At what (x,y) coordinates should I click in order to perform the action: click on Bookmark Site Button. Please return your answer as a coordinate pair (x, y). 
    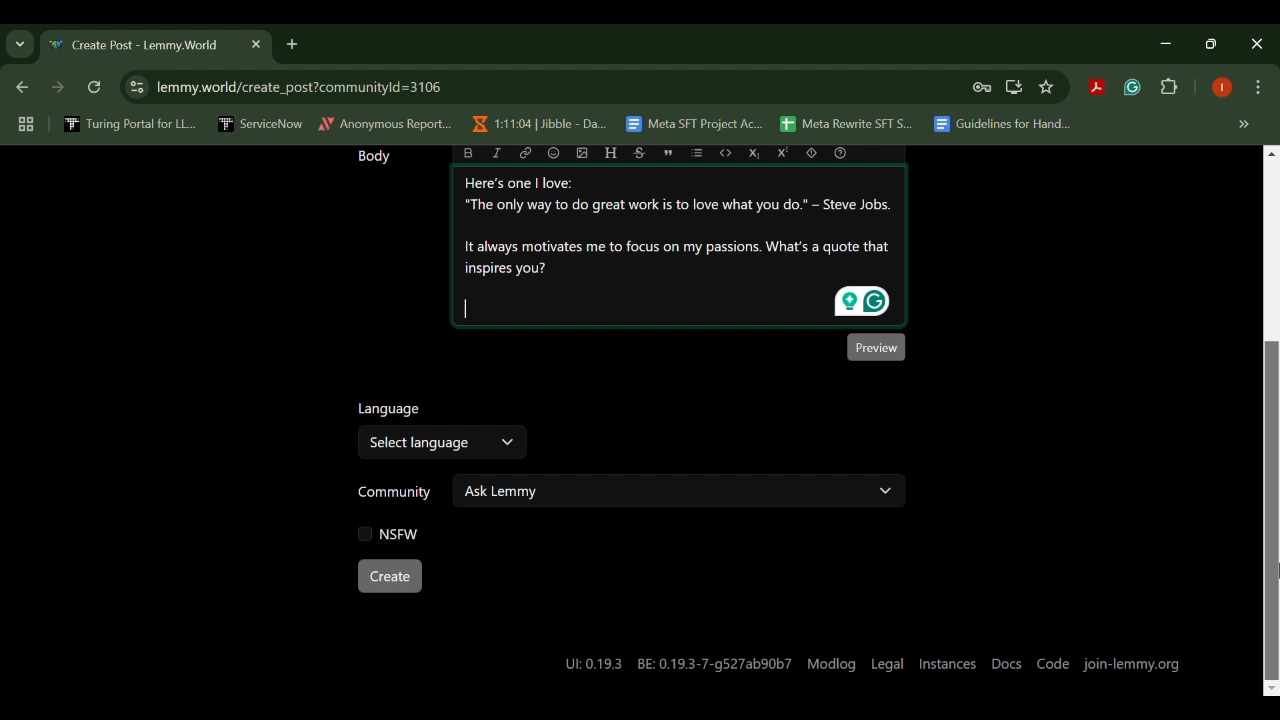
    Looking at the image, I should click on (1046, 88).